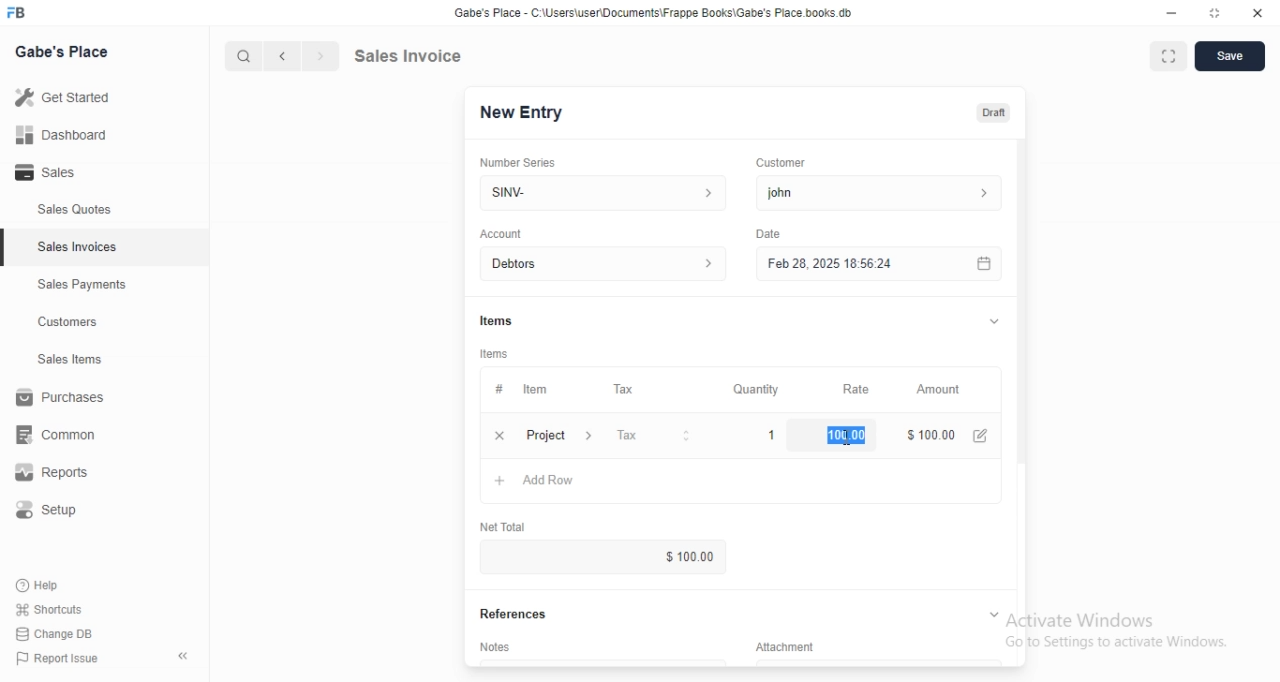 Image resolution: width=1280 pixels, height=682 pixels. Describe the element at coordinates (1163, 54) in the screenshot. I see `maximise` at that location.